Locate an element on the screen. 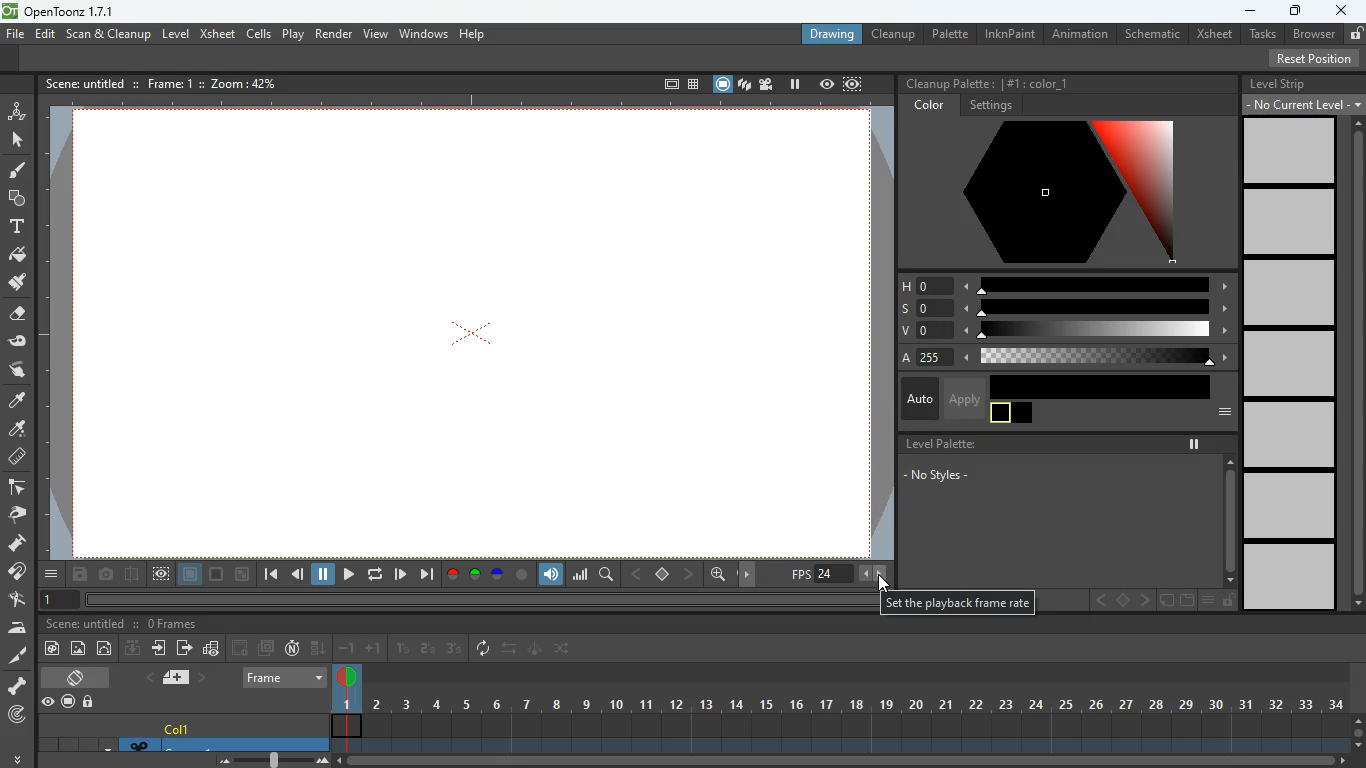 This screenshot has height=768, width=1366. tape is located at coordinates (16, 340).